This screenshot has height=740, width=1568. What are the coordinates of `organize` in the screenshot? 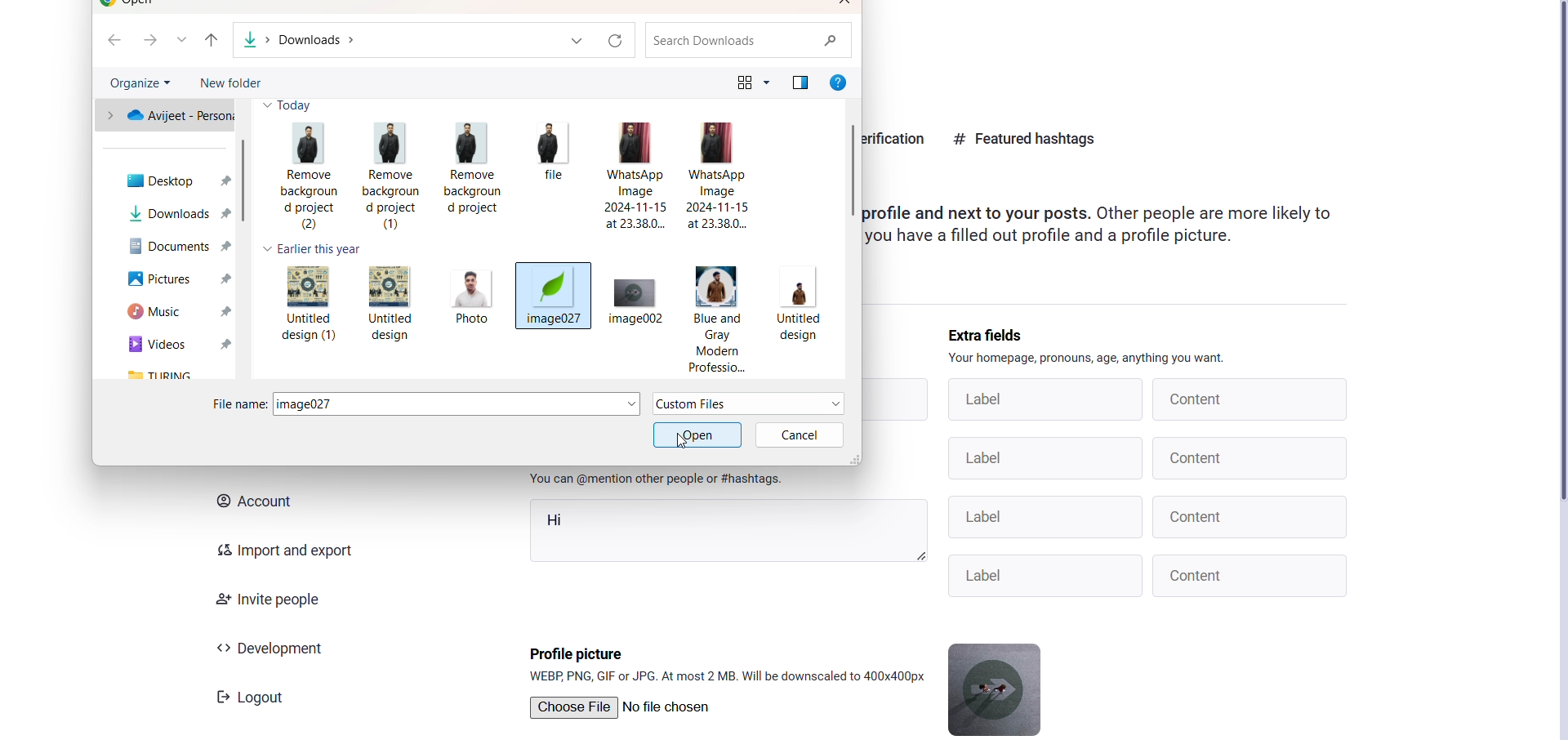 It's located at (141, 82).